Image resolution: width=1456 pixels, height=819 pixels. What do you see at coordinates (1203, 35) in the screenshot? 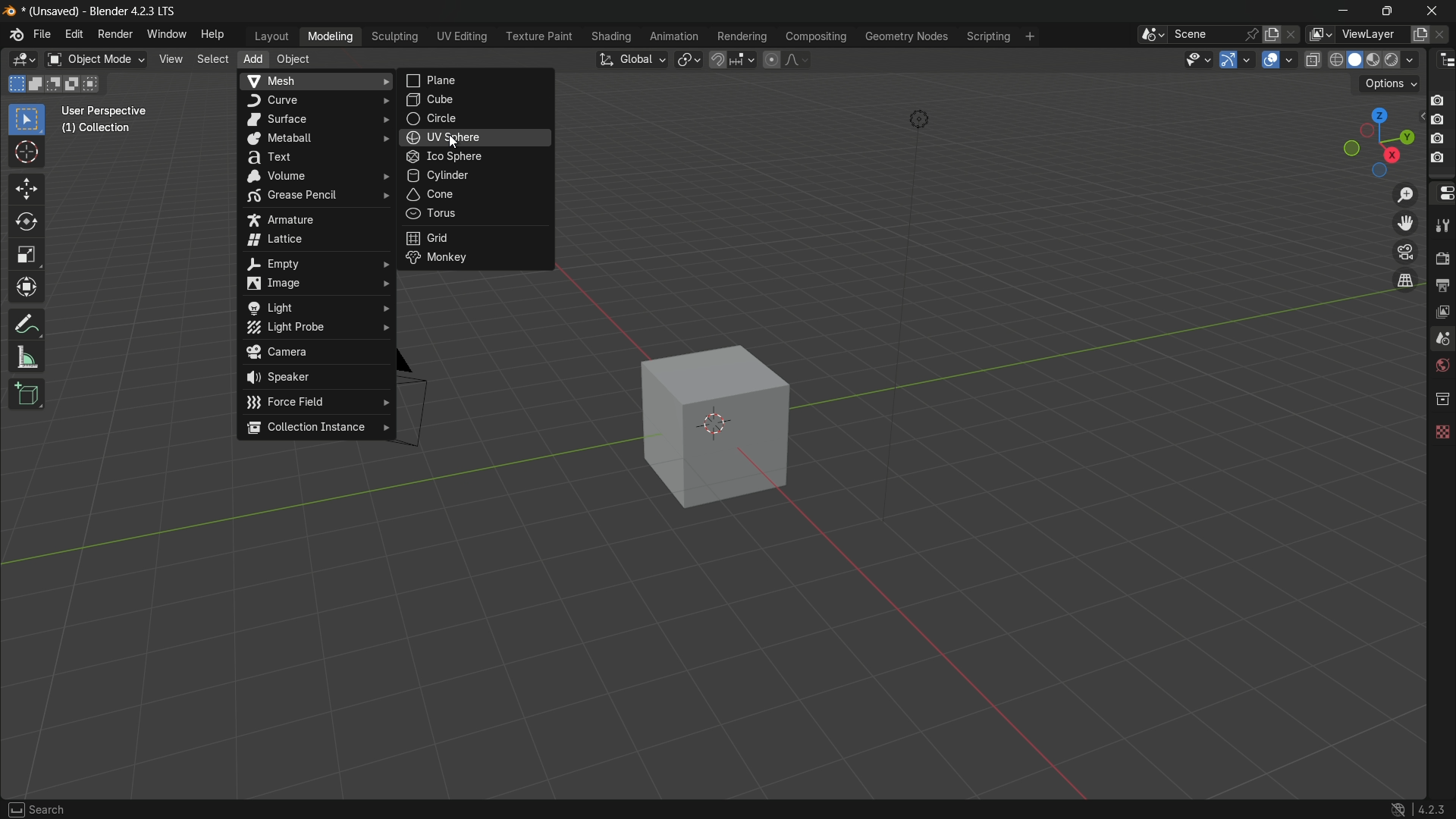
I see `scene name` at bounding box center [1203, 35].